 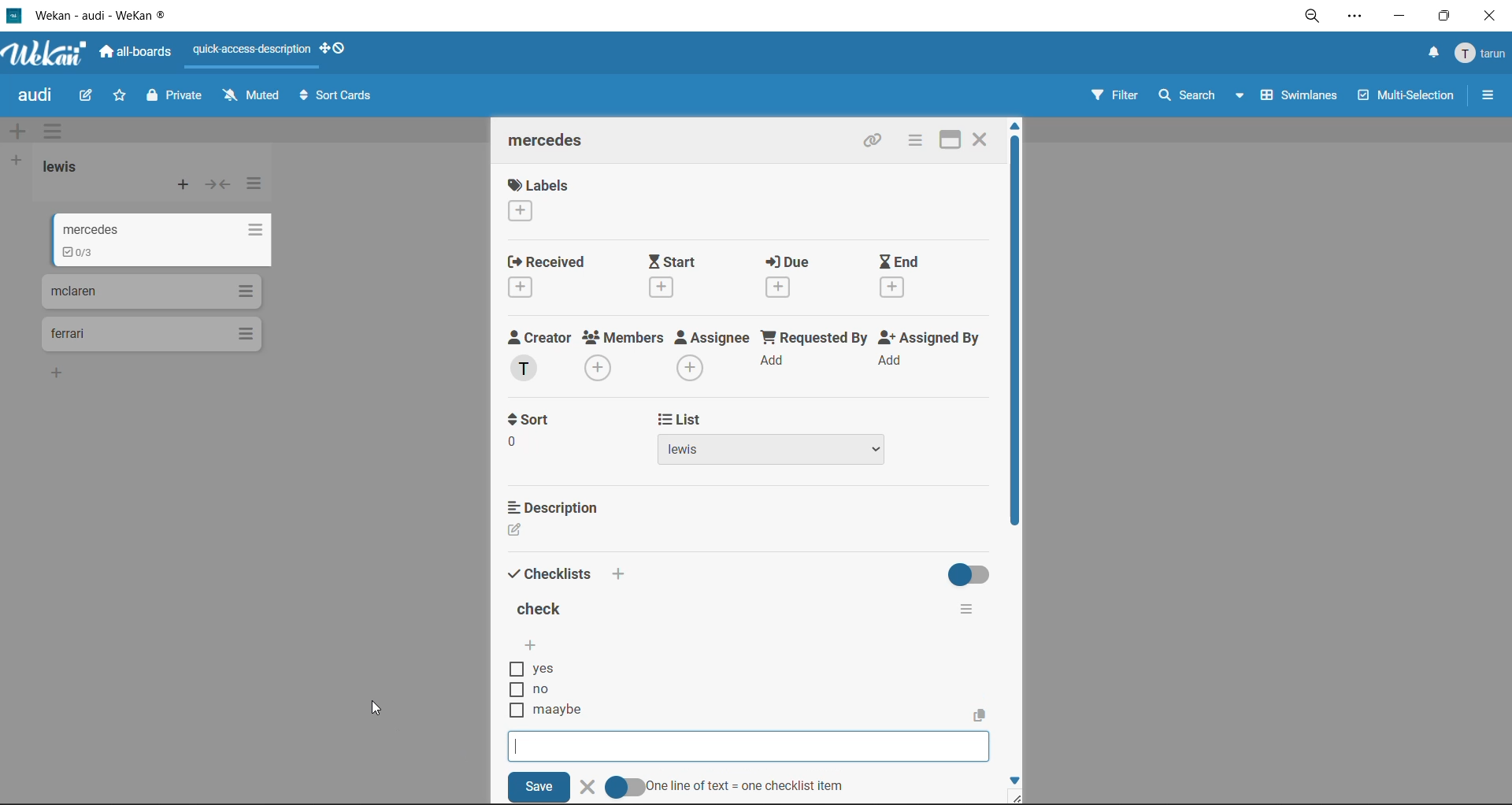 What do you see at coordinates (98, 17) in the screenshot?
I see `app title` at bounding box center [98, 17].